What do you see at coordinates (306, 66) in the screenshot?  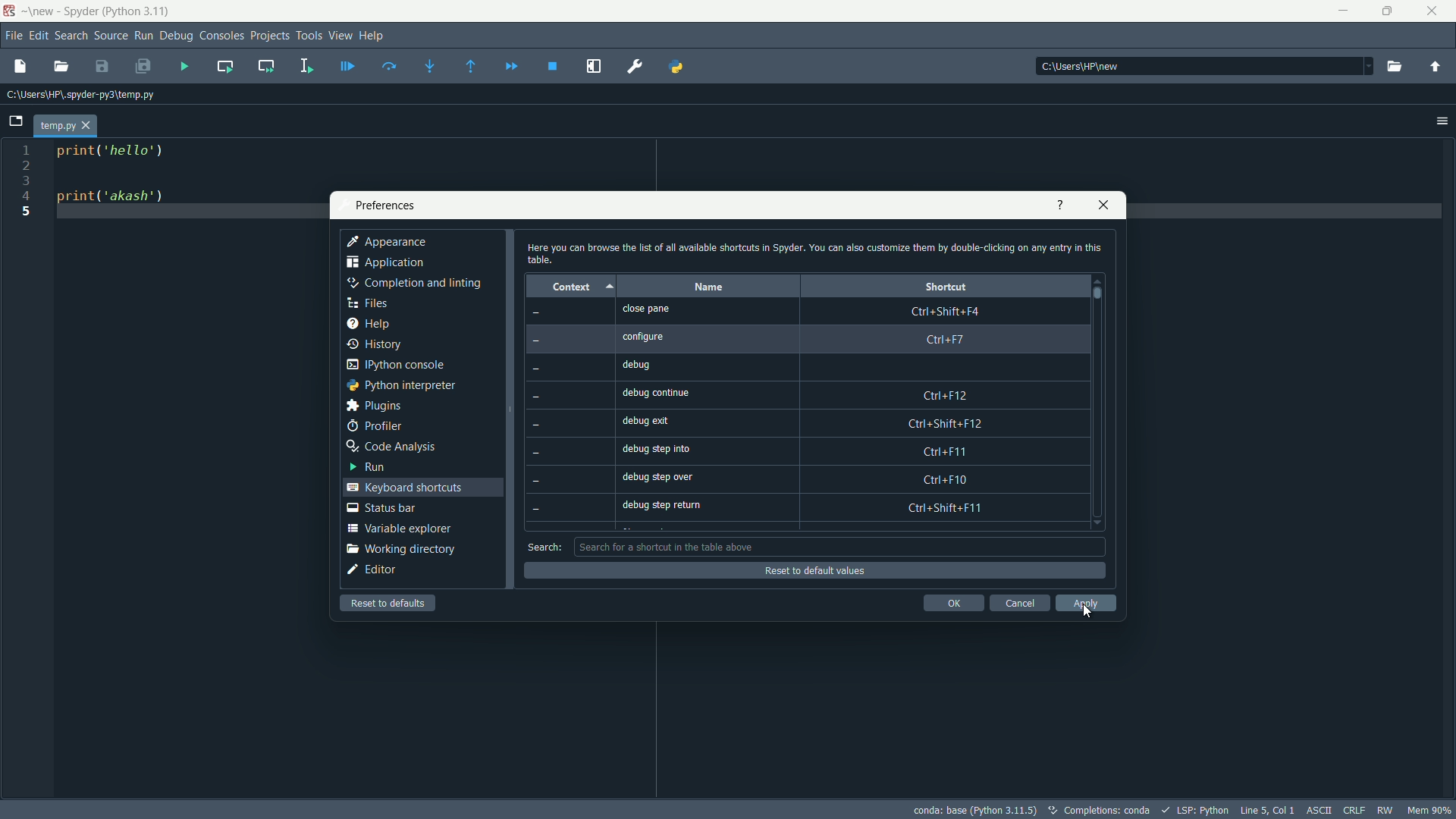 I see `run selection or current line` at bounding box center [306, 66].